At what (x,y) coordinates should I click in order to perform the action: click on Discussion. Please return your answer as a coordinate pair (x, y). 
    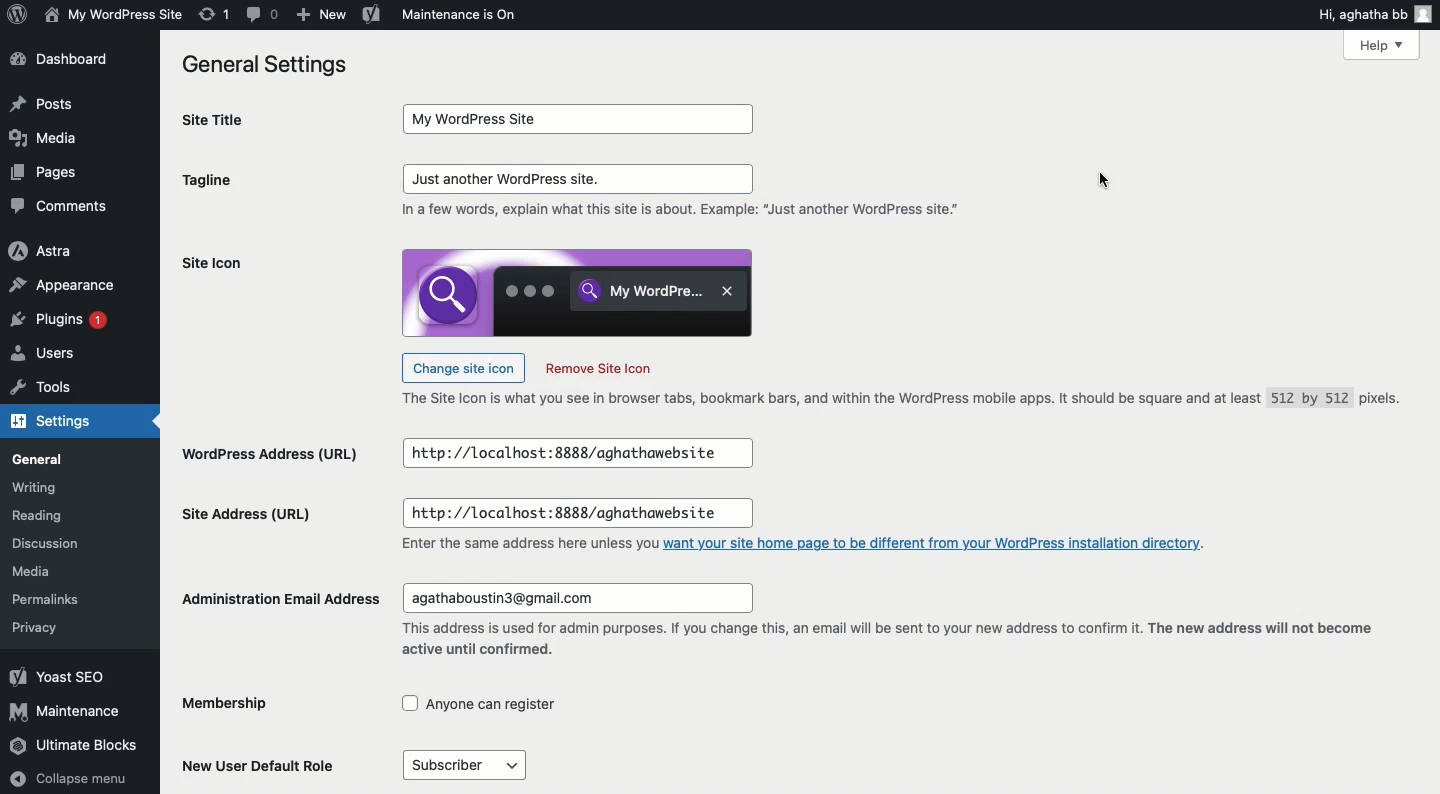
    Looking at the image, I should click on (53, 546).